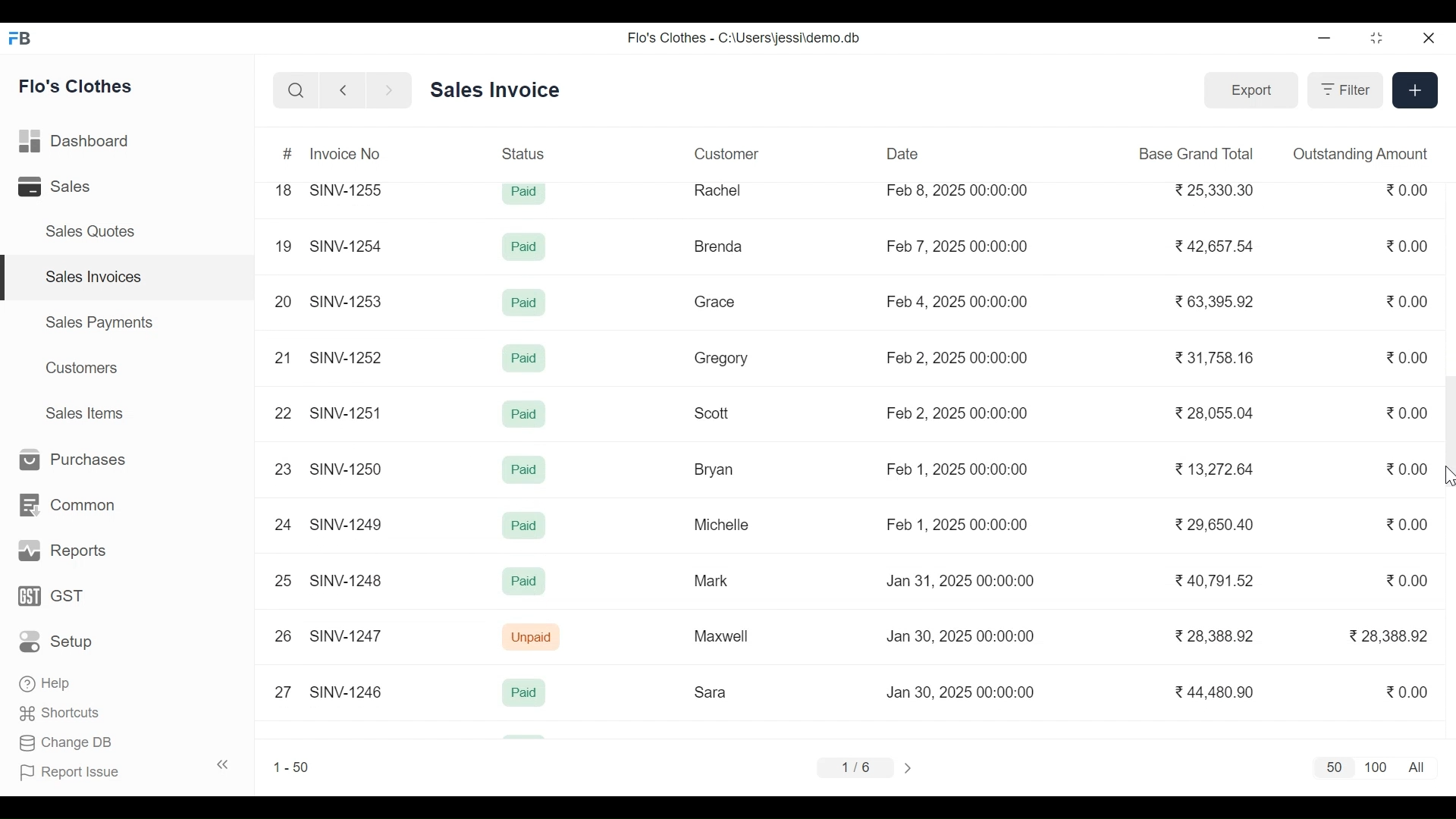 The height and width of the screenshot is (819, 1456). Describe the element at coordinates (84, 368) in the screenshot. I see `Customers` at that location.